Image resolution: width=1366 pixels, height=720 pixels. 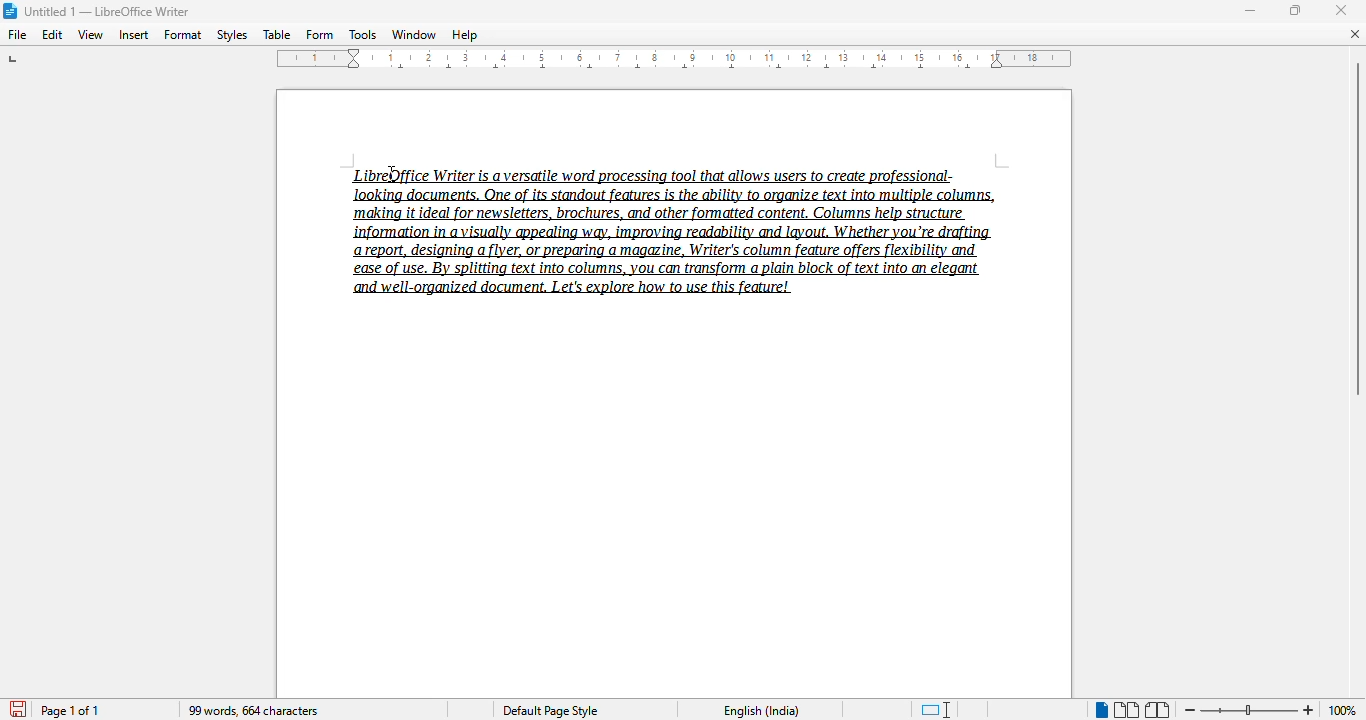 I want to click on view, so click(x=90, y=34).